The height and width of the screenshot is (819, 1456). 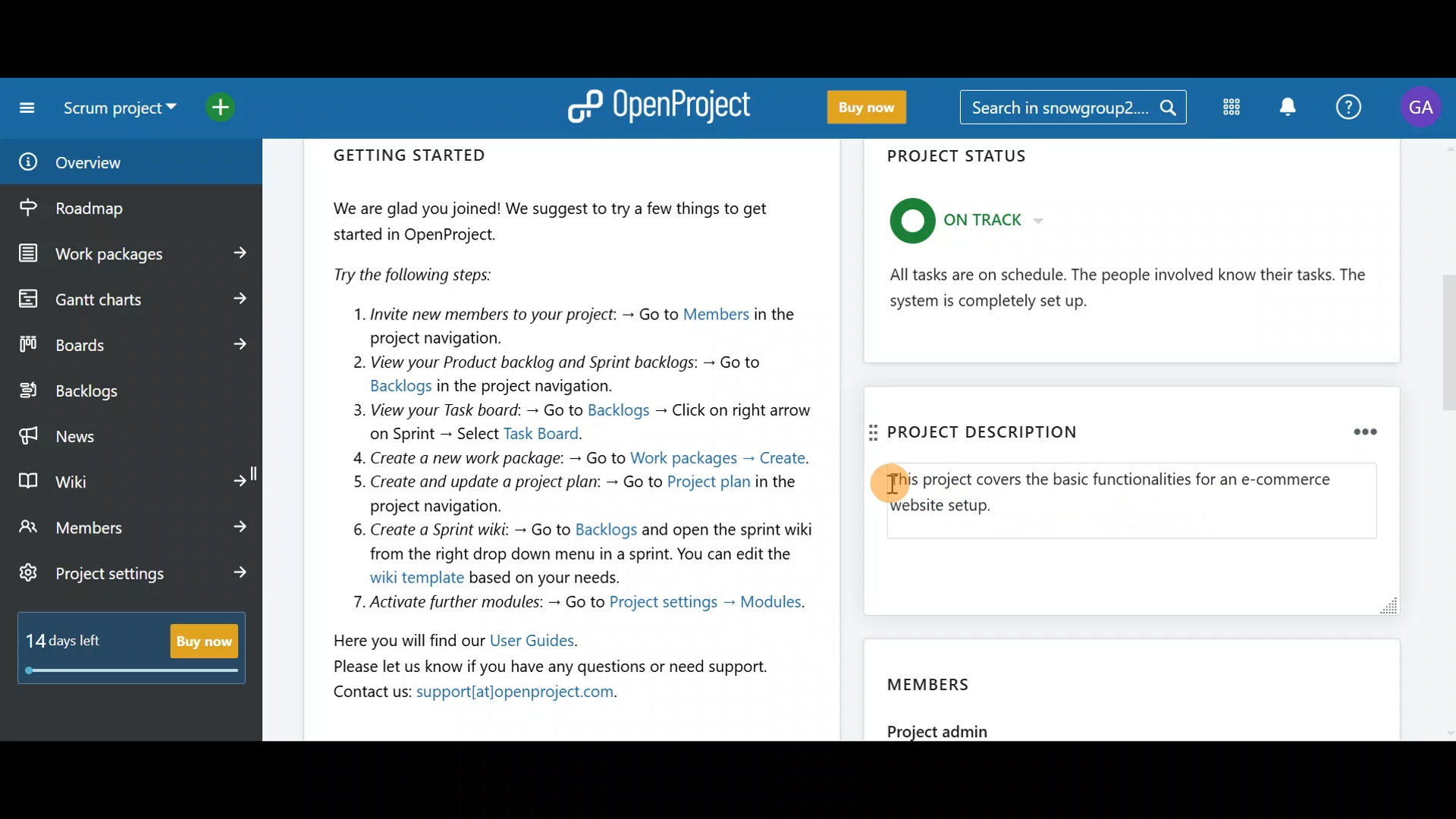 What do you see at coordinates (1351, 105) in the screenshot?
I see `Help` at bounding box center [1351, 105].